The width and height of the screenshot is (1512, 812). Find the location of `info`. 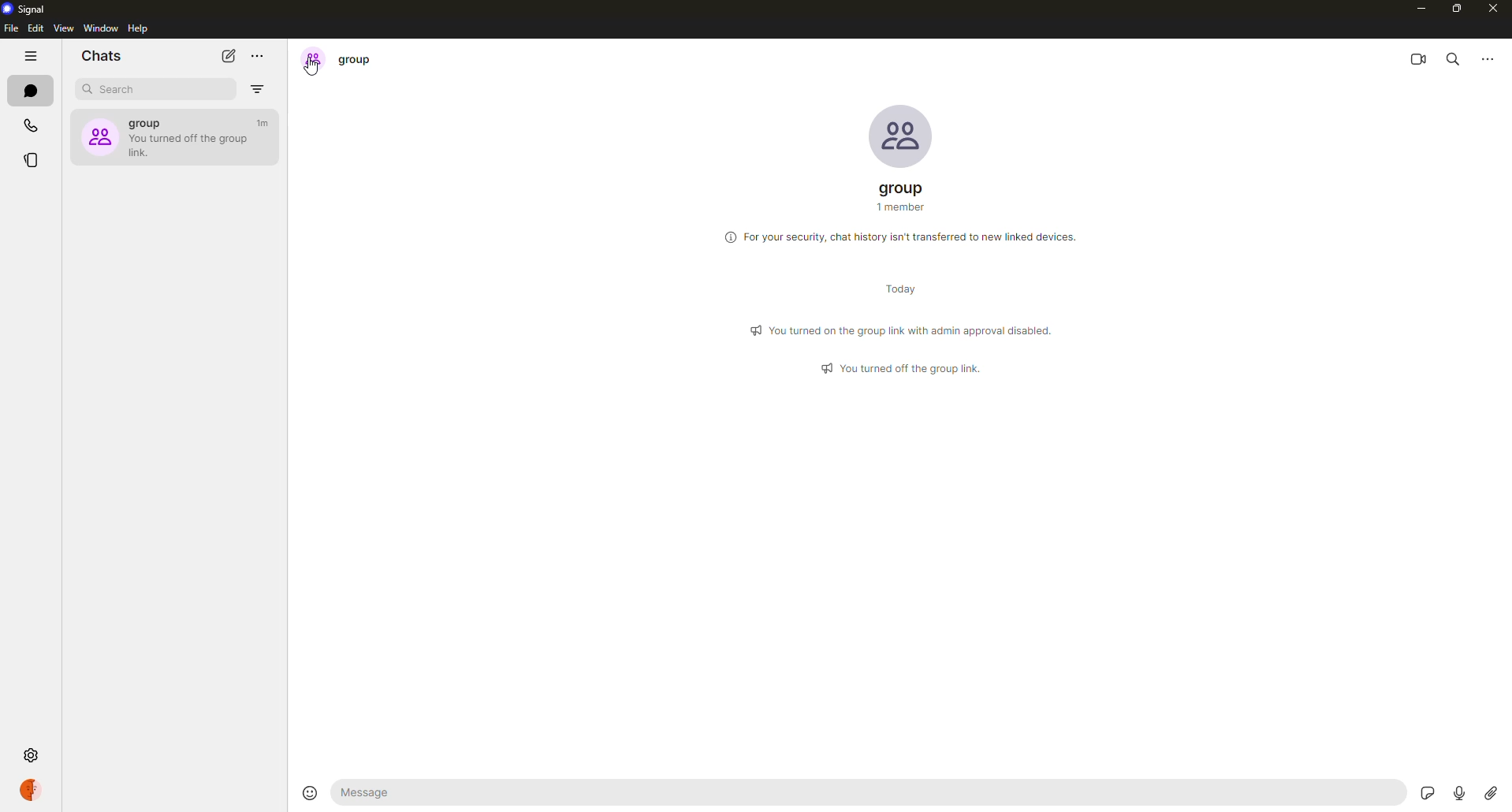

info is located at coordinates (907, 329).